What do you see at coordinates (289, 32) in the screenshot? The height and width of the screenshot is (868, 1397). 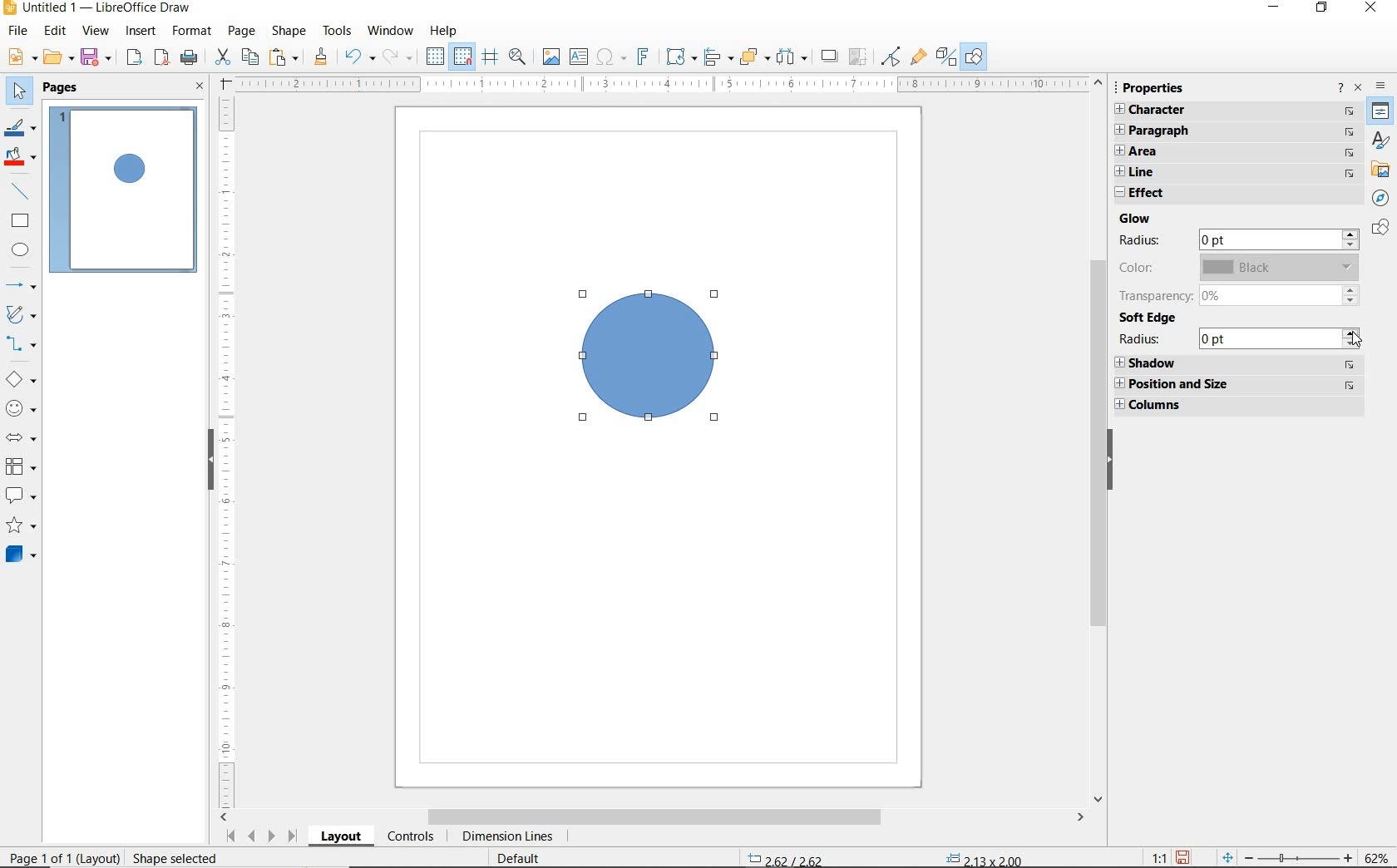 I see `SHAPE` at bounding box center [289, 32].